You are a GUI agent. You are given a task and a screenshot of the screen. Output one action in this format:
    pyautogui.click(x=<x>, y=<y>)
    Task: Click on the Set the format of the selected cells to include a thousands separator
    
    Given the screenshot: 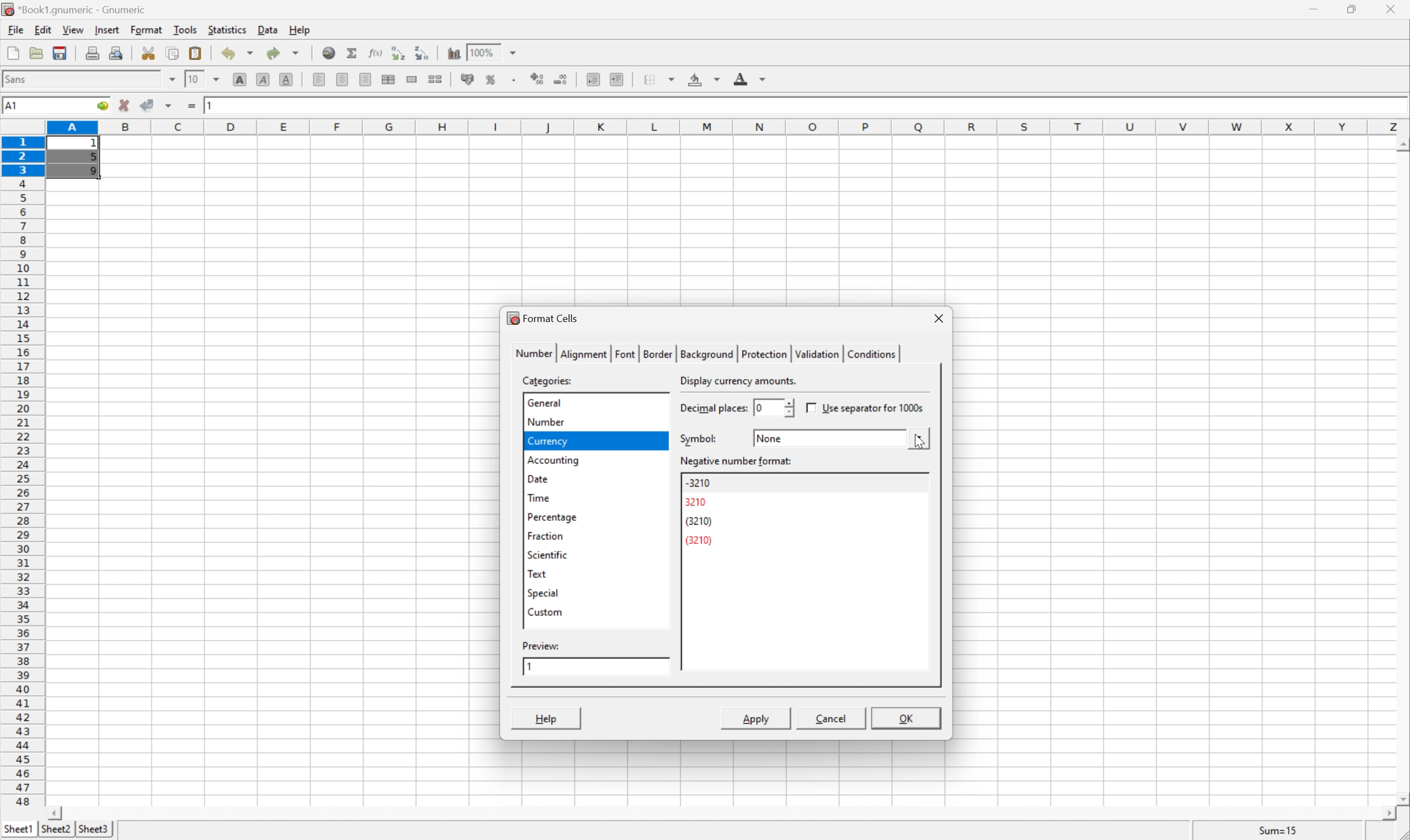 What is the action you would take?
    pyautogui.click(x=516, y=80)
    